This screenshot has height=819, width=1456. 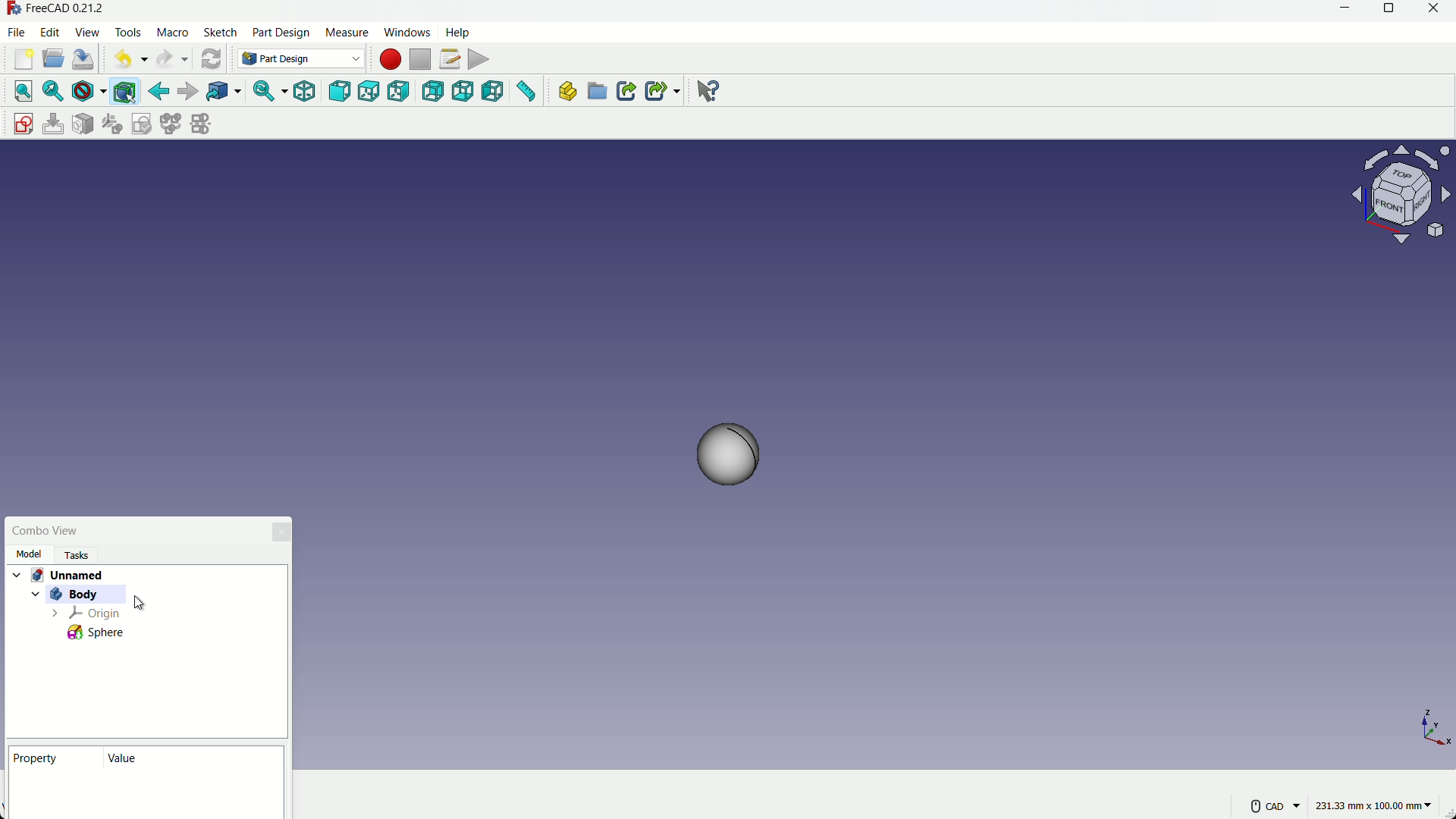 I want to click on save file, so click(x=83, y=58).